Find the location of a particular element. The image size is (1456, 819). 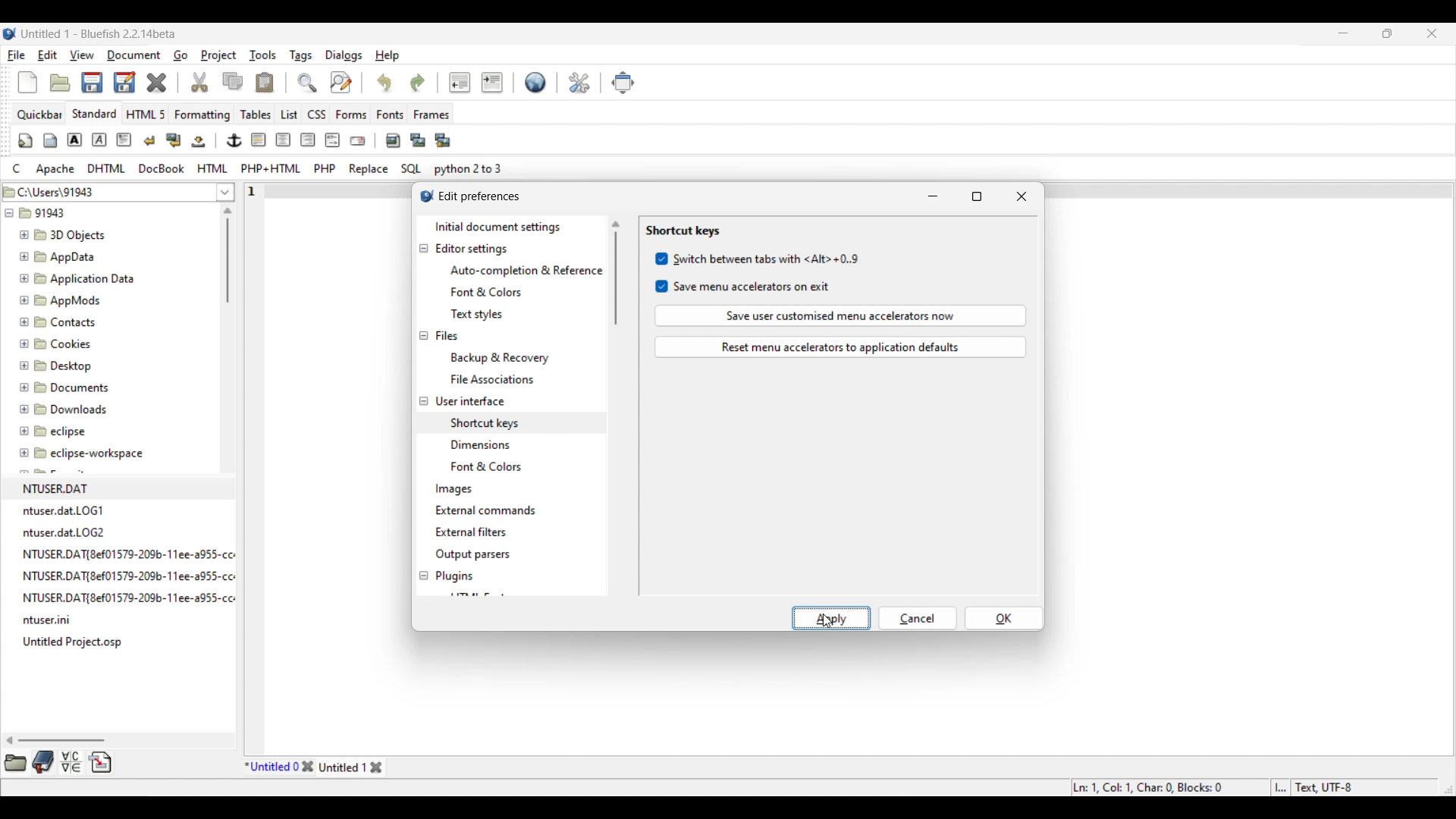

ntuser.ini is located at coordinates (52, 622).